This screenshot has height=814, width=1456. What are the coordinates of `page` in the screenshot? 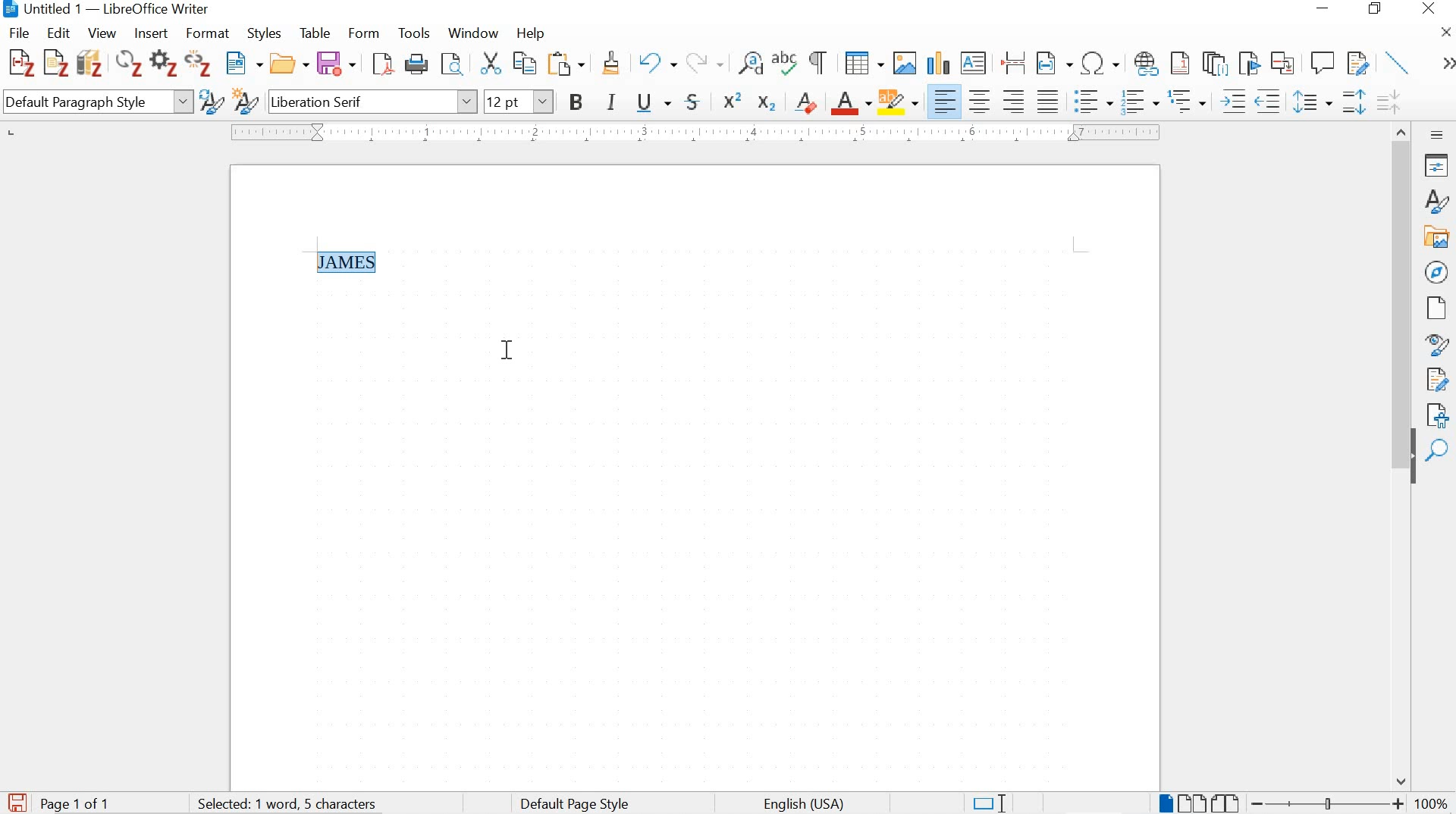 It's located at (1434, 308).